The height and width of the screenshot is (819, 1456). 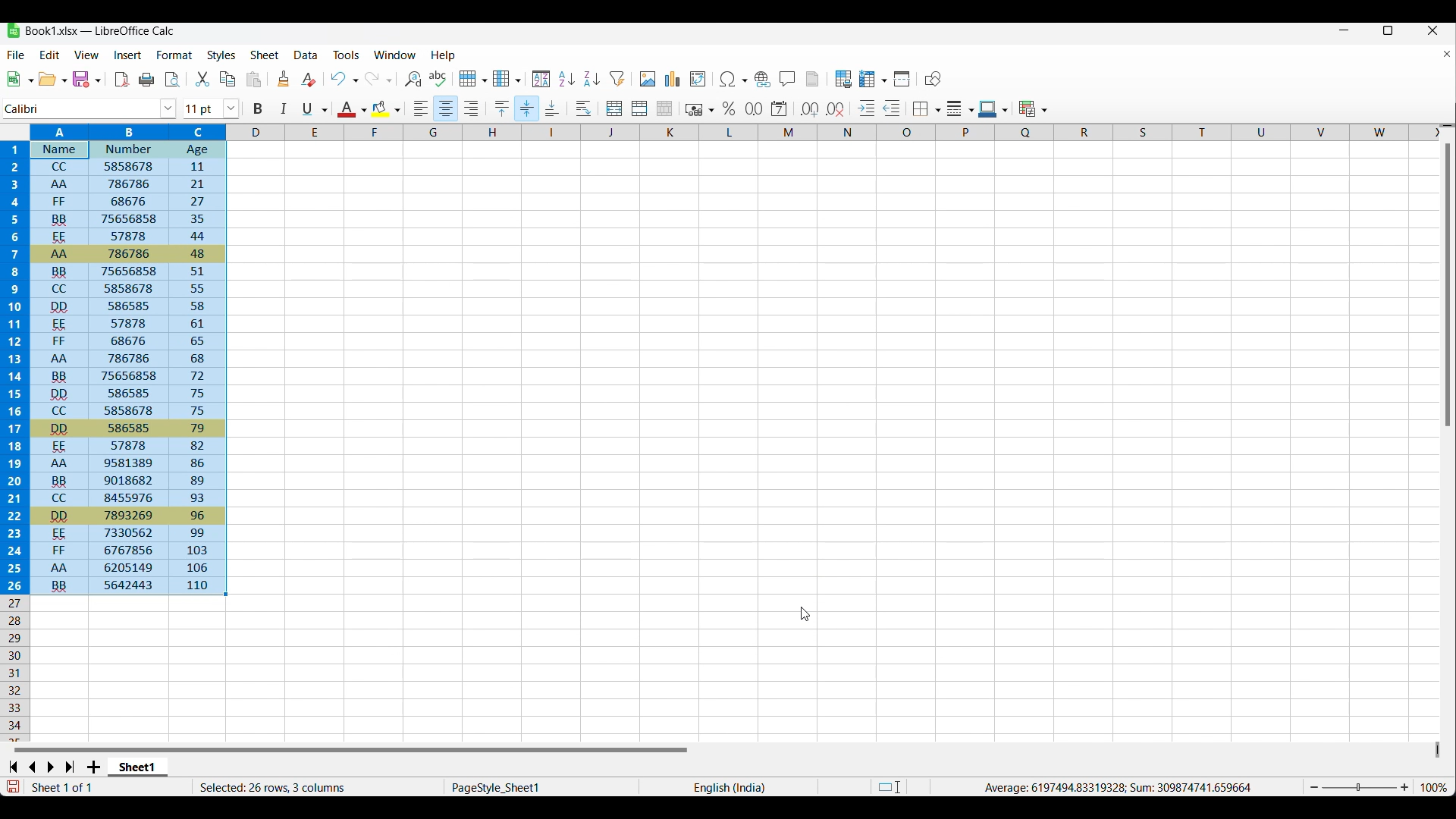 I want to click on Go to last sheet, so click(x=70, y=767).